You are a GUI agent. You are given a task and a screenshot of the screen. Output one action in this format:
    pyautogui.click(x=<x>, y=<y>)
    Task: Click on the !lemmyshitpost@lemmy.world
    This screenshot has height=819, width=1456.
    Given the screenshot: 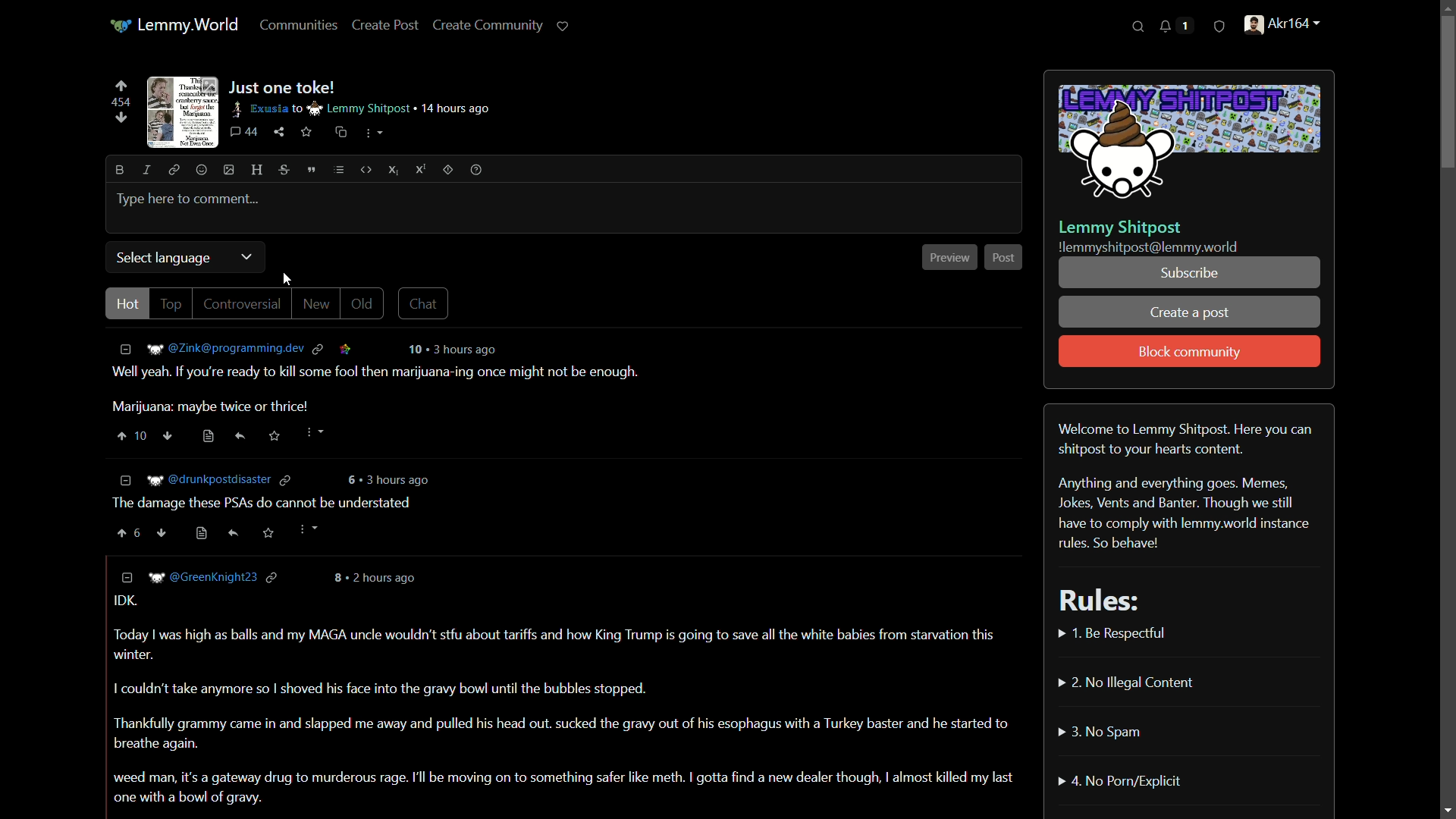 What is the action you would take?
    pyautogui.click(x=1153, y=248)
    